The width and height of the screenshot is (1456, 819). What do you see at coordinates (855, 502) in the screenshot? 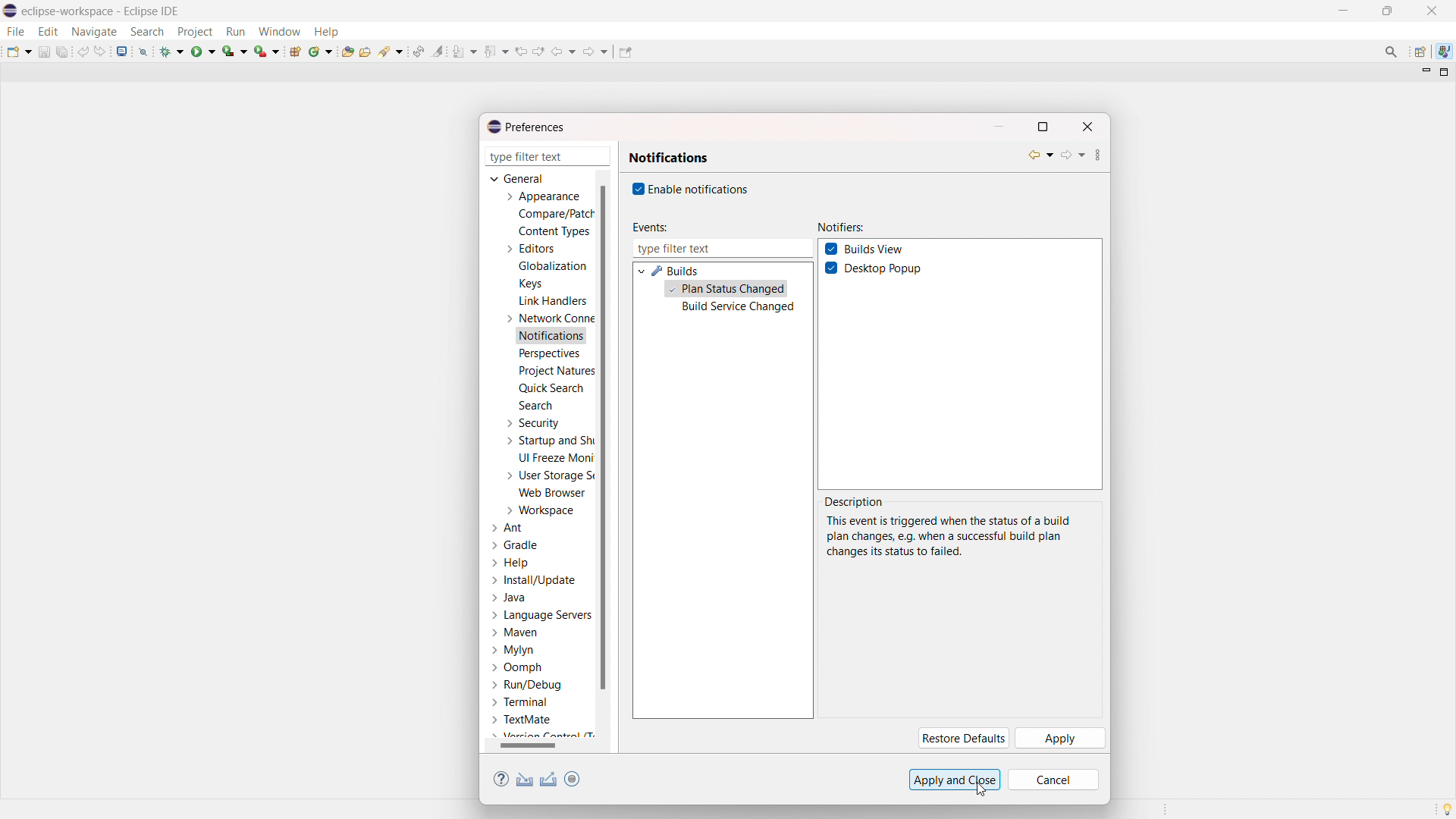
I see `description` at bounding box center [855, 502].